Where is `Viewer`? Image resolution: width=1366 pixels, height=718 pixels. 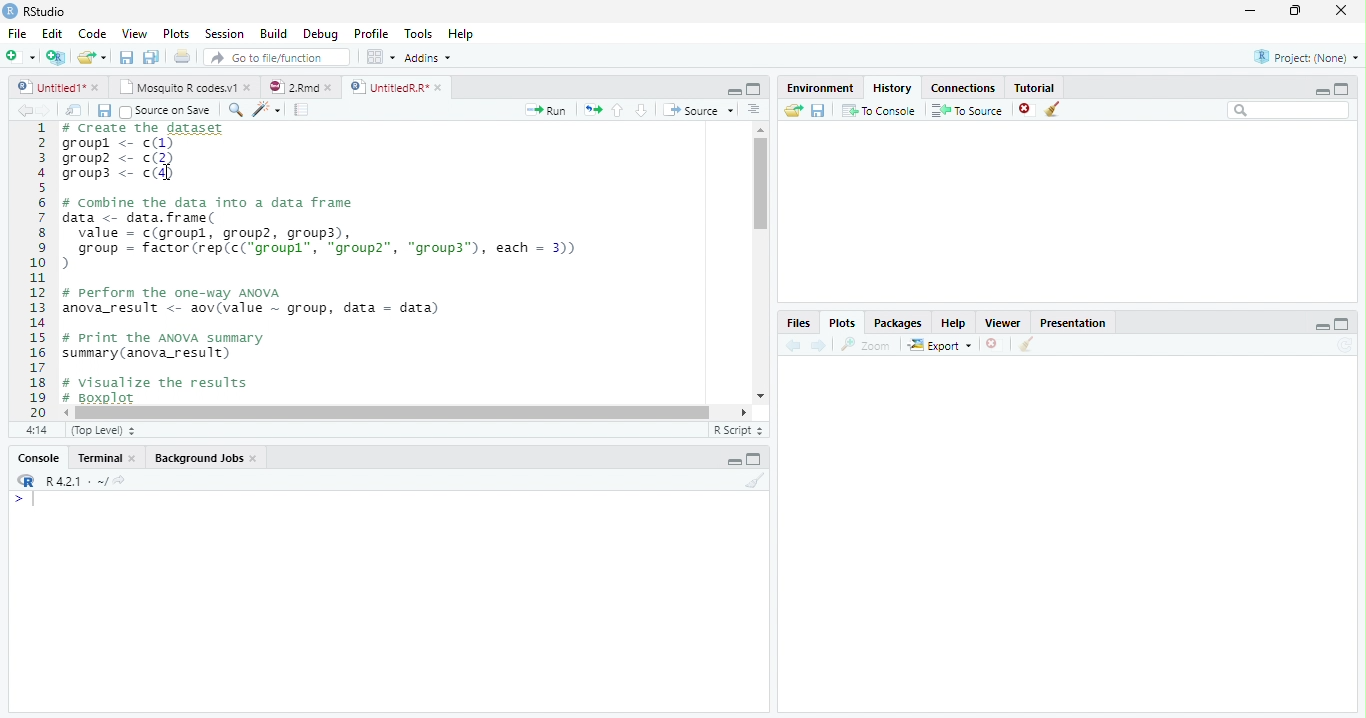 Viewer is located at coordinates (1005, 322).